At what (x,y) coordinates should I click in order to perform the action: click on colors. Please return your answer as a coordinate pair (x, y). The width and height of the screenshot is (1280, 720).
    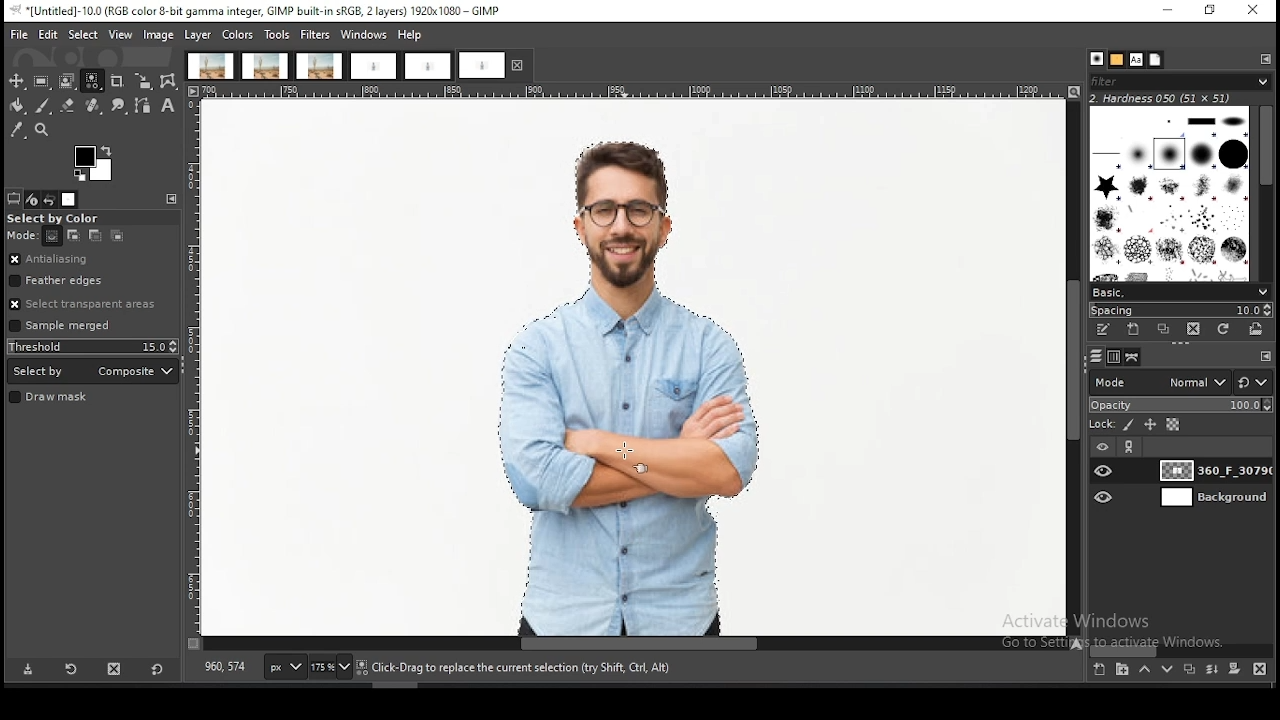
    Looking at the image, I should click on (95, 164).